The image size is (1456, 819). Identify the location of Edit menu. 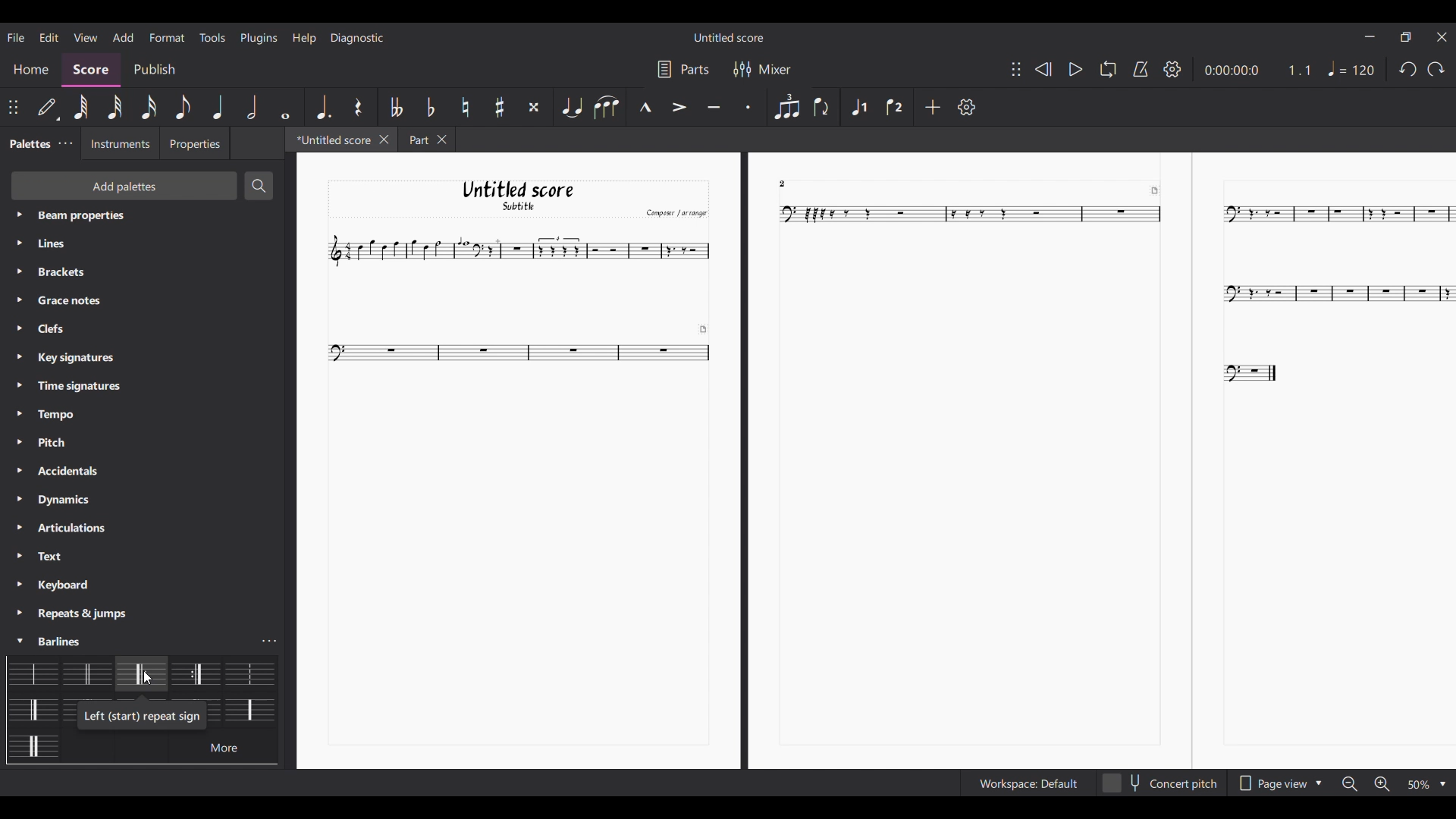
(49, 37).